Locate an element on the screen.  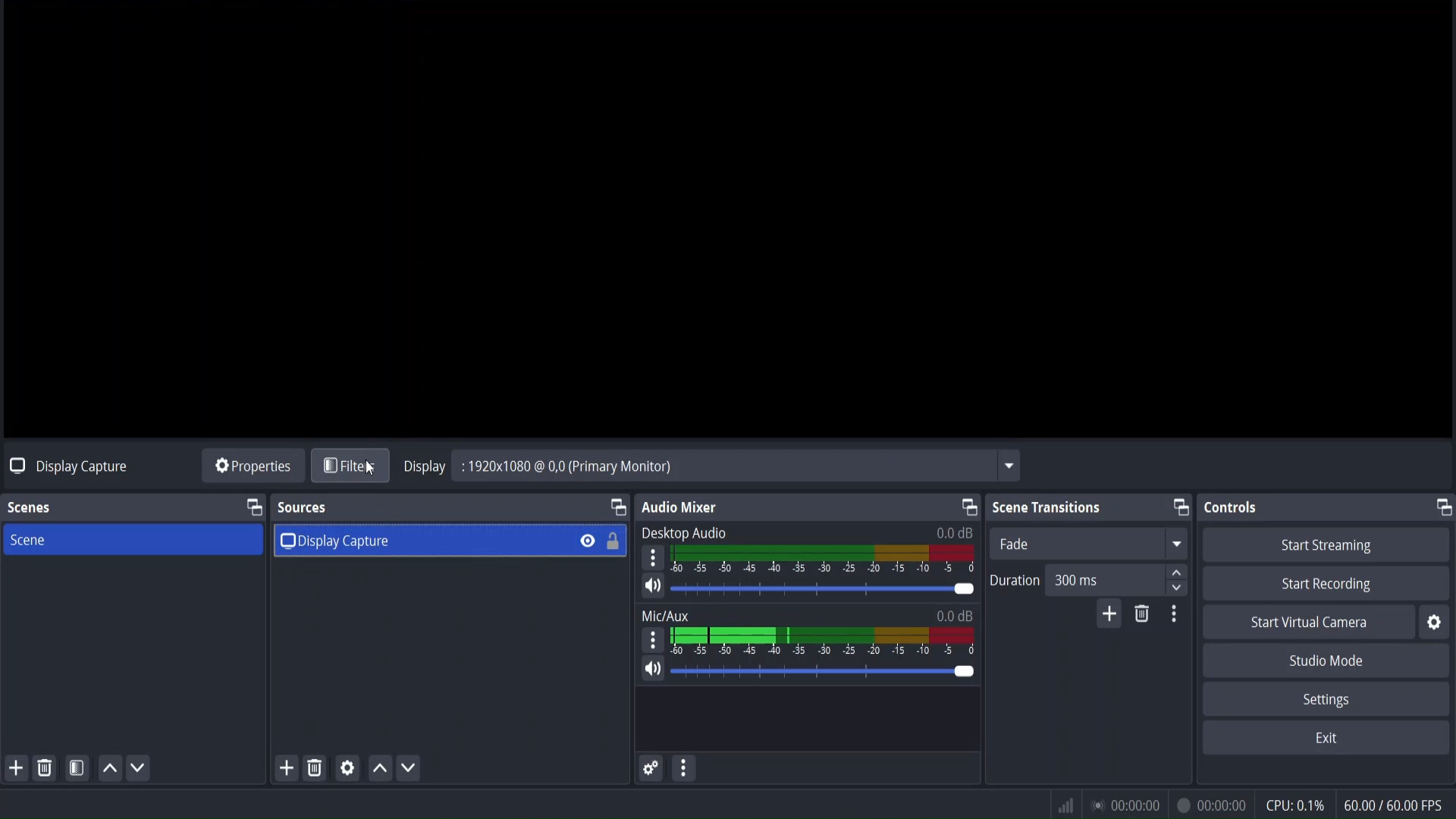
start virtual camera is located at coordinates (1310, 623).